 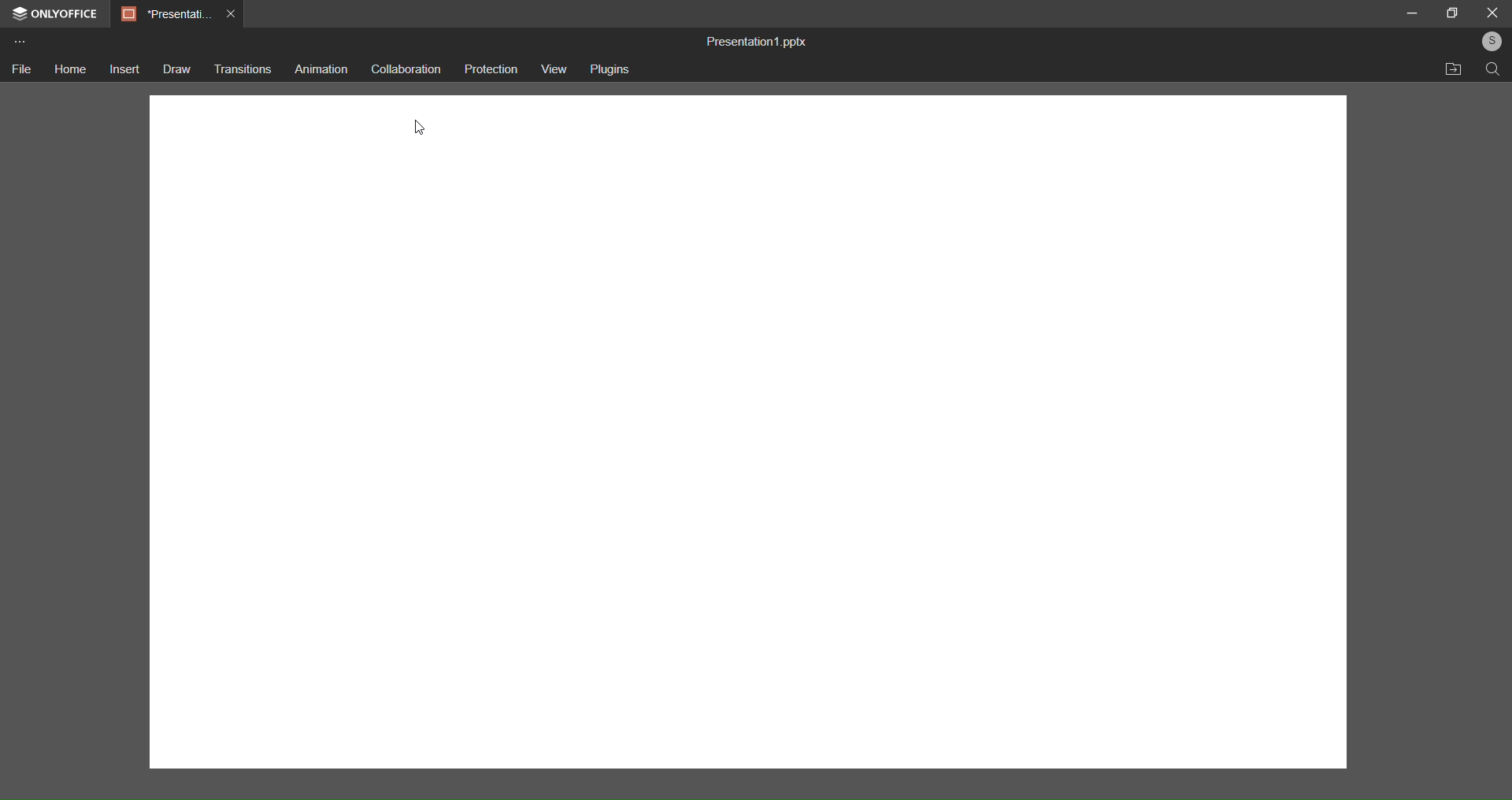 I want to click on plugins, so click(x=614, y=70).